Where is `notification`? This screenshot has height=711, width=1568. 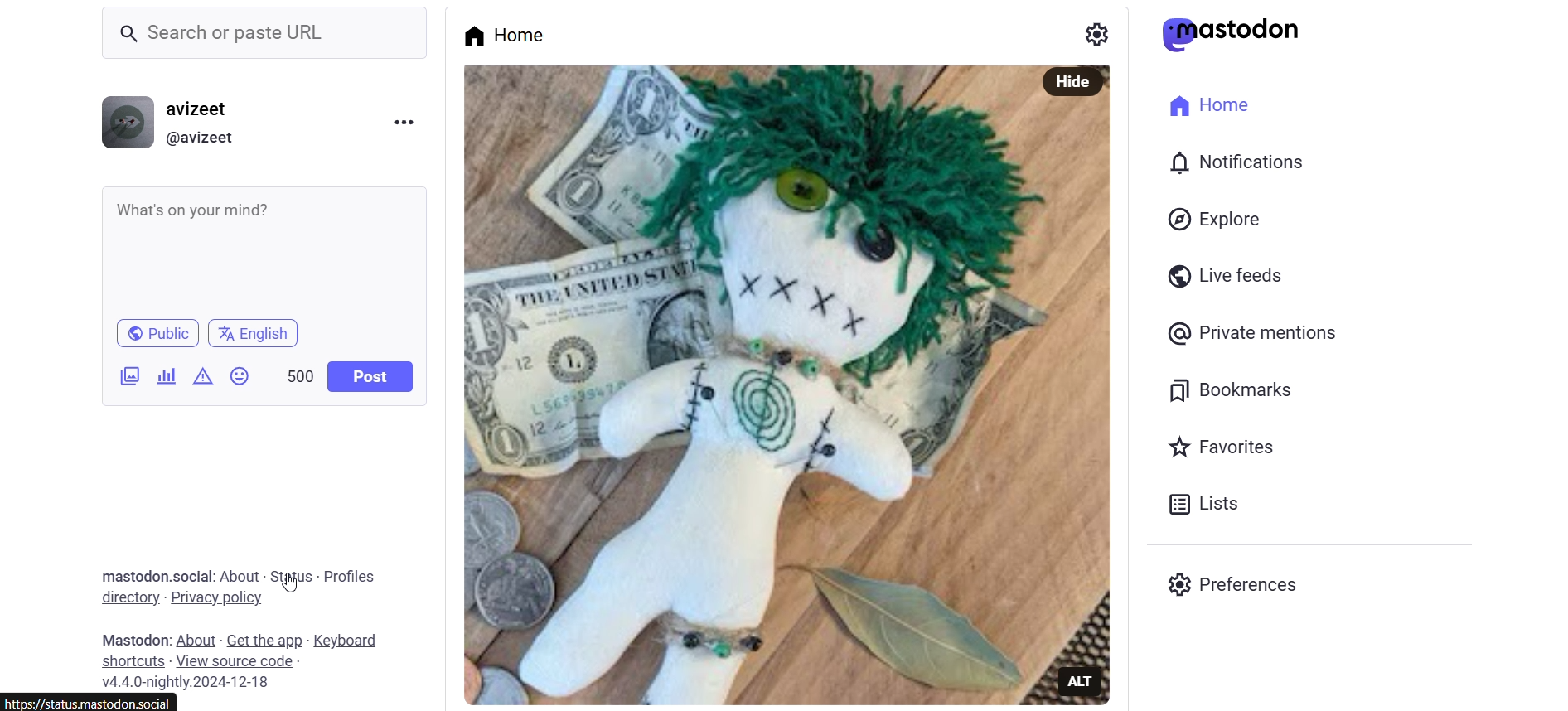
notification is located at coordinates (1236, 165).